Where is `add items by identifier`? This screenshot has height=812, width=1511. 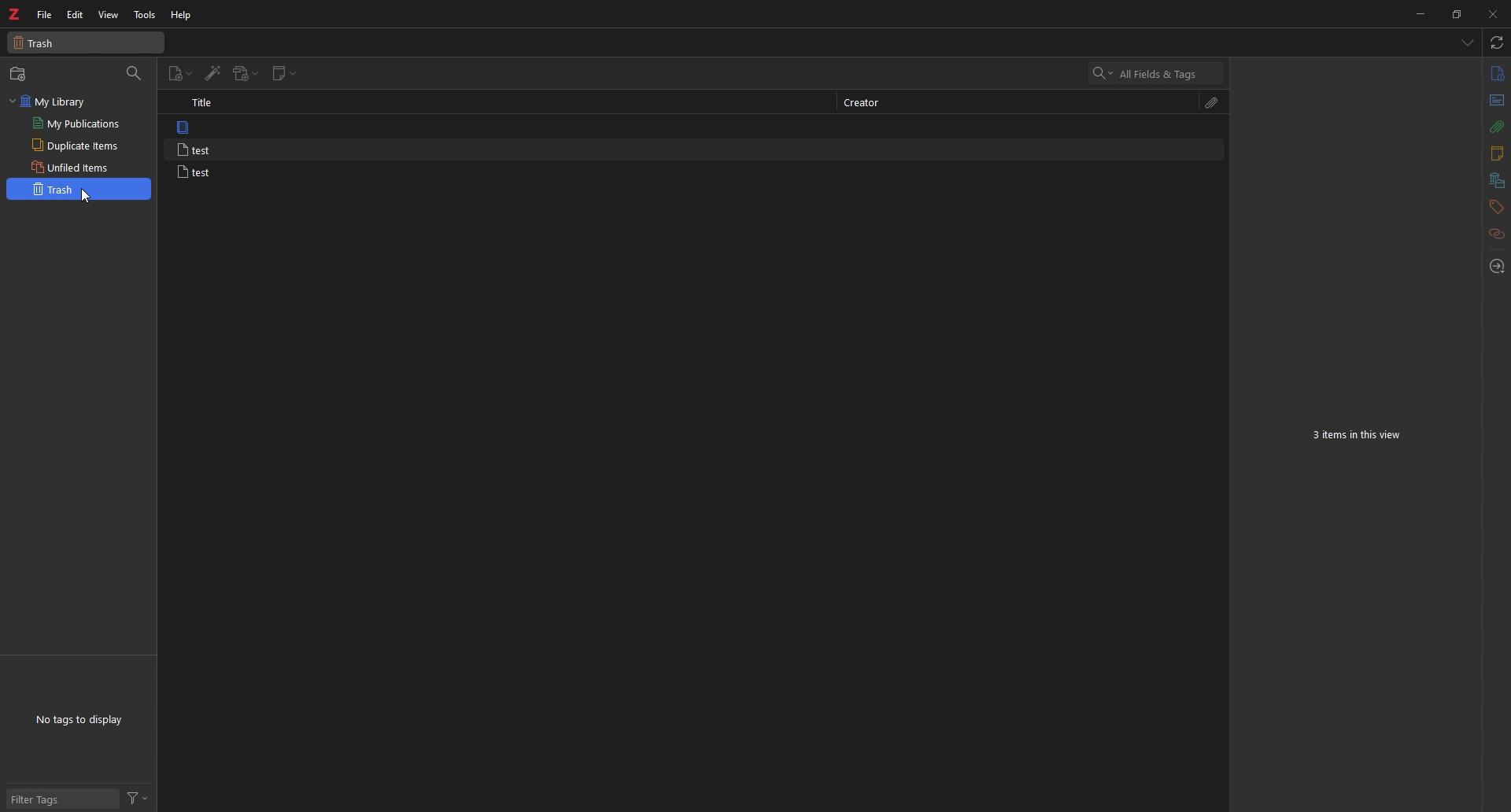
add items by identifier is located at coordinates (214, 74).